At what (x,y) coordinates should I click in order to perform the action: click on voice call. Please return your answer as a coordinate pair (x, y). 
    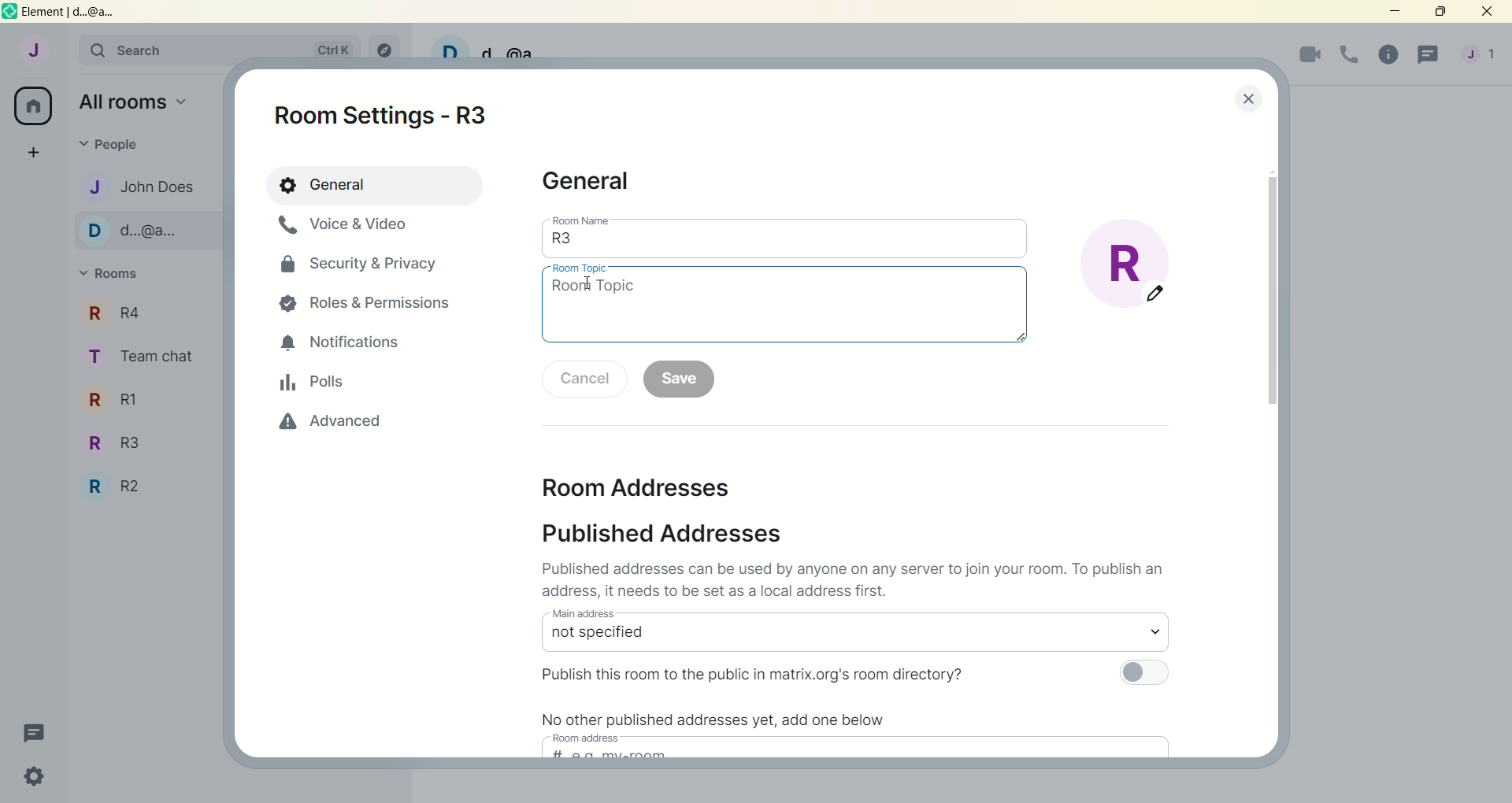
    Looking at the image, I should click on (1350, 54).